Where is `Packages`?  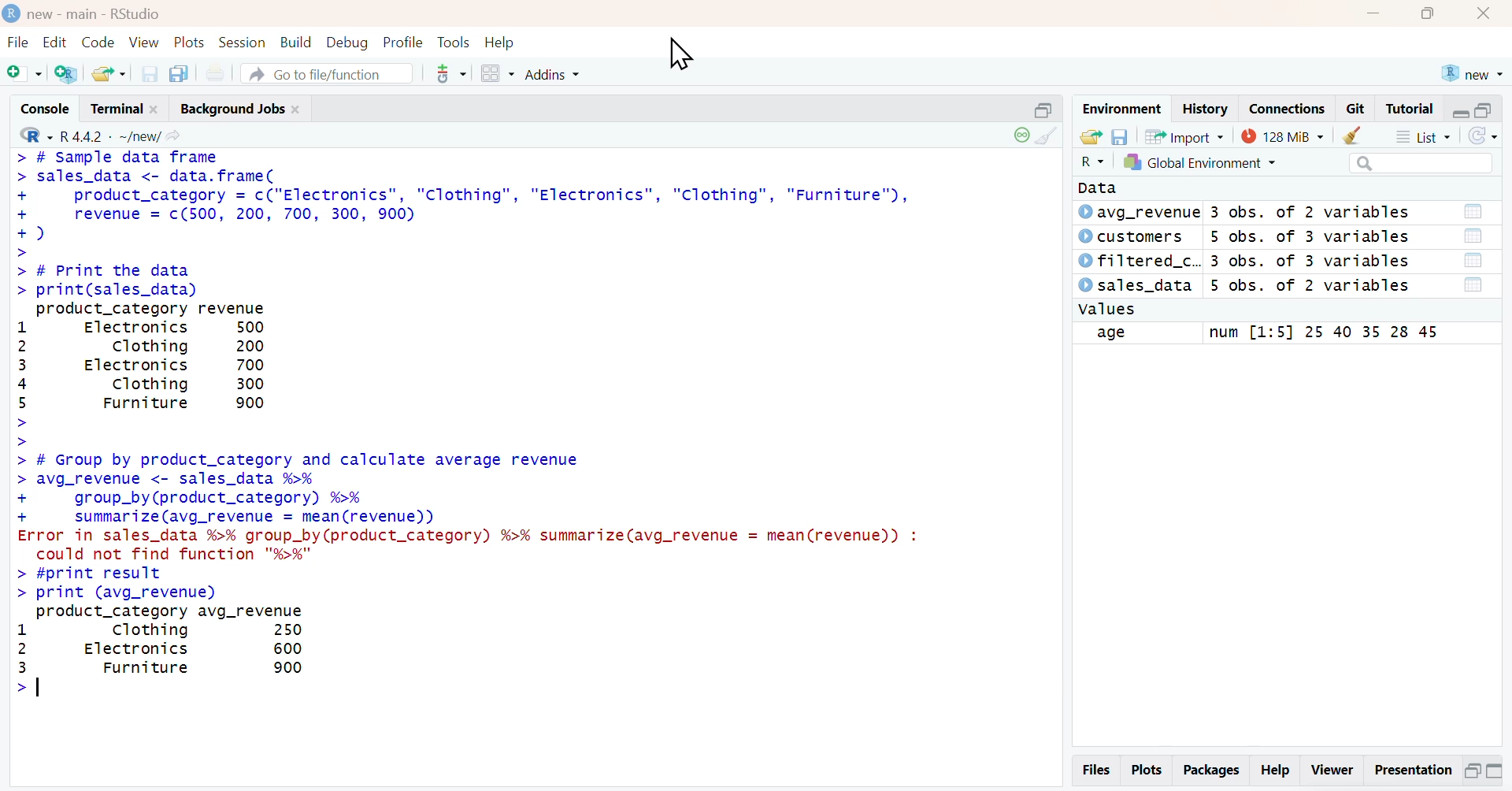
Packages is located at coordinates (1210, 771).